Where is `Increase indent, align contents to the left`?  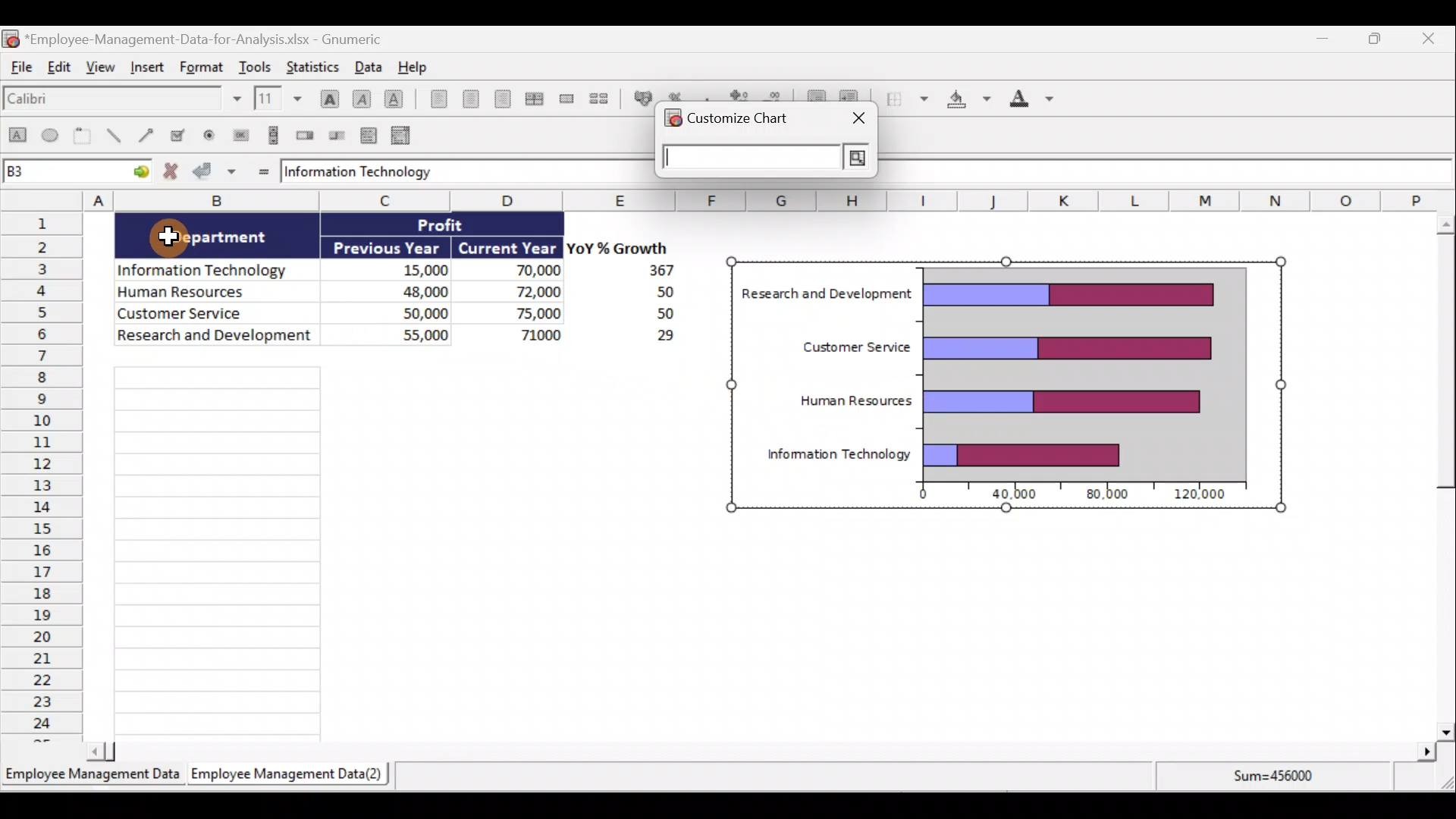
Increase indent, align contents to the left is located at coordinates (855, 93).